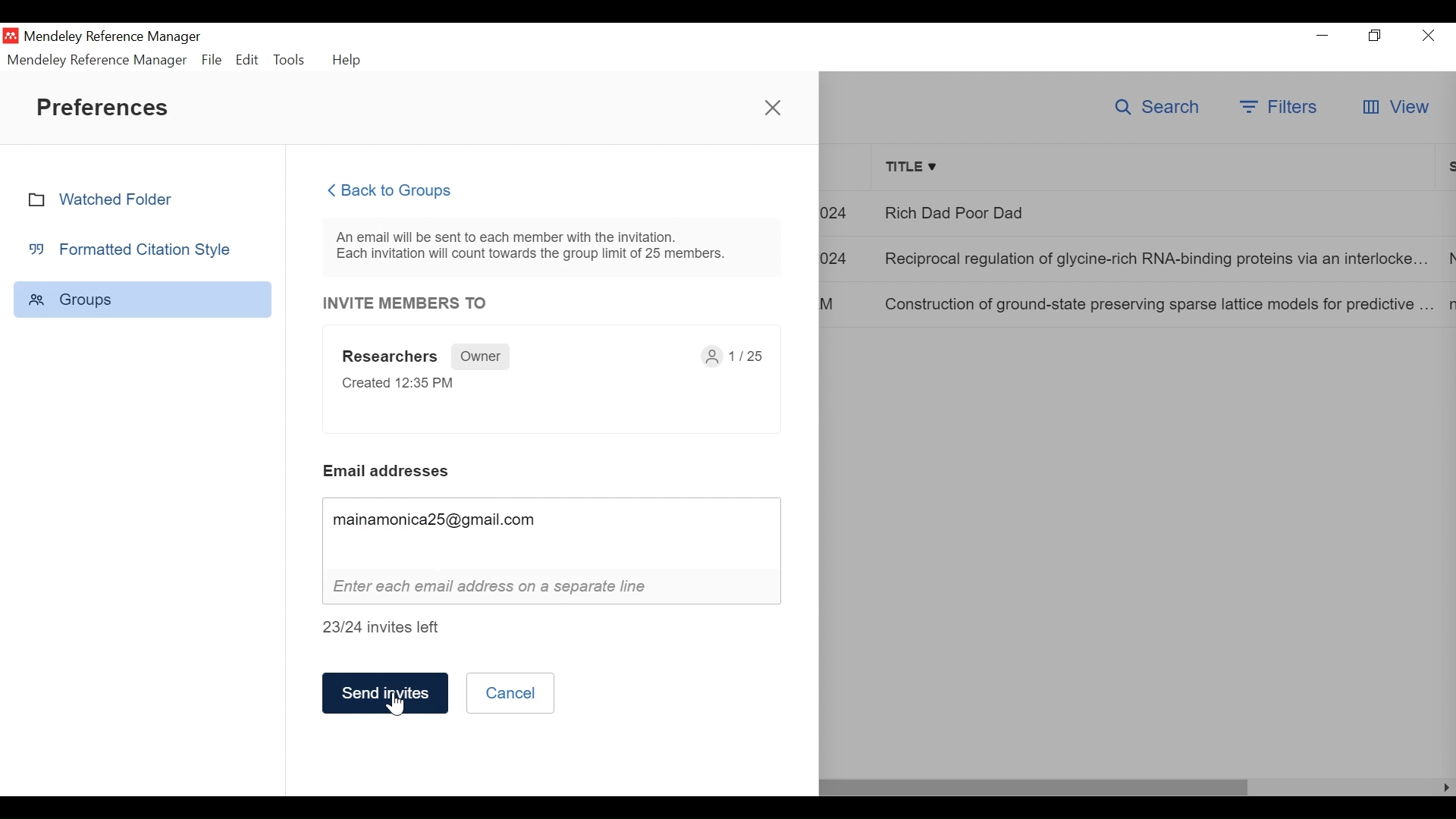  What do you see at coordinates (382, 696) in the screenshot?
I see `Send invites` at bounding box center [382, 696].